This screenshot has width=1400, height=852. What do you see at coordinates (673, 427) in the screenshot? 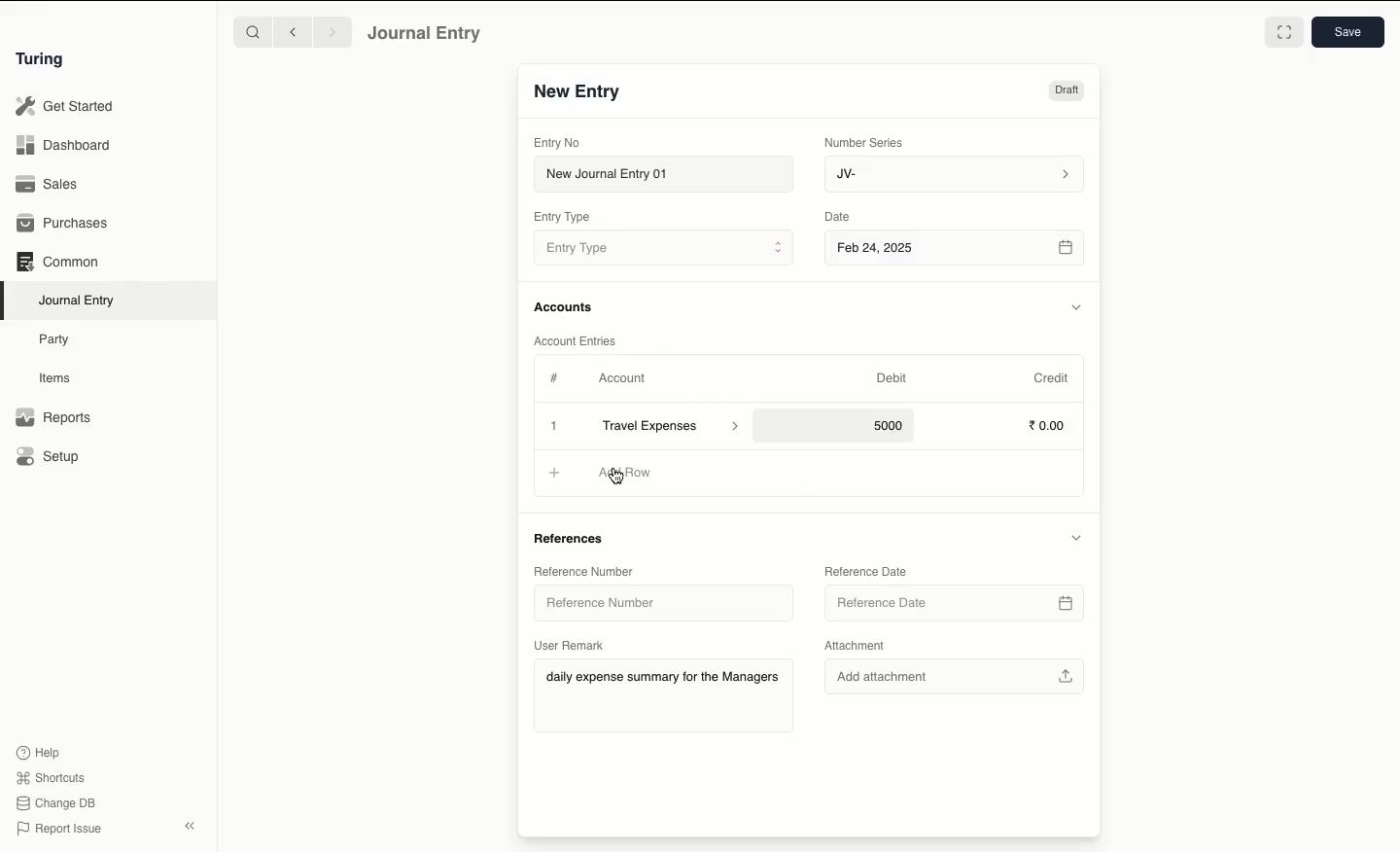
I see `Travel Expenses` at bounding box center [673, 427].